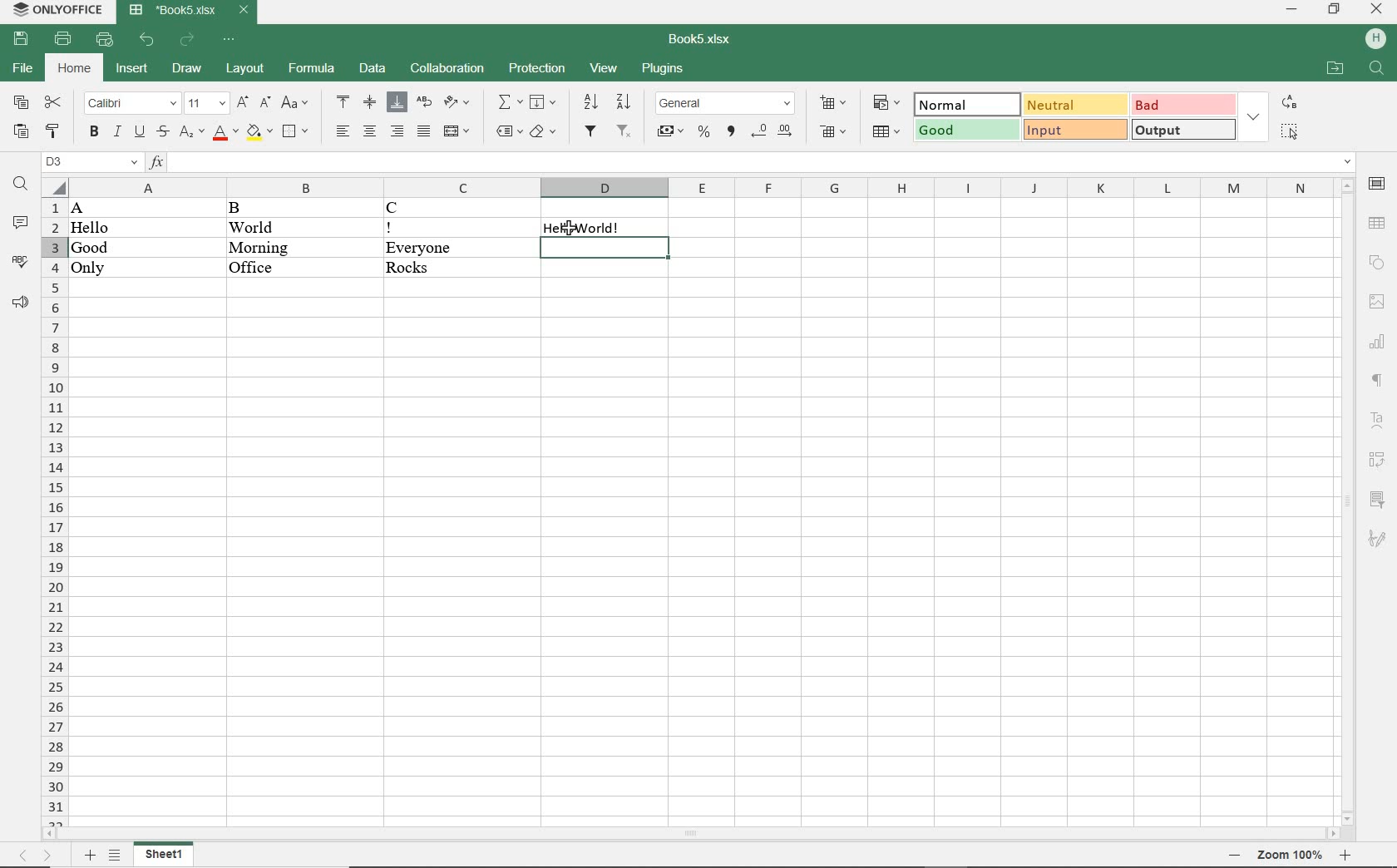 The width and height of the screenshot is (1397, 868). What do you see at coordinates (94, 134) in the screenshot?
I see `BOLD` at bounding box center [94, 134].